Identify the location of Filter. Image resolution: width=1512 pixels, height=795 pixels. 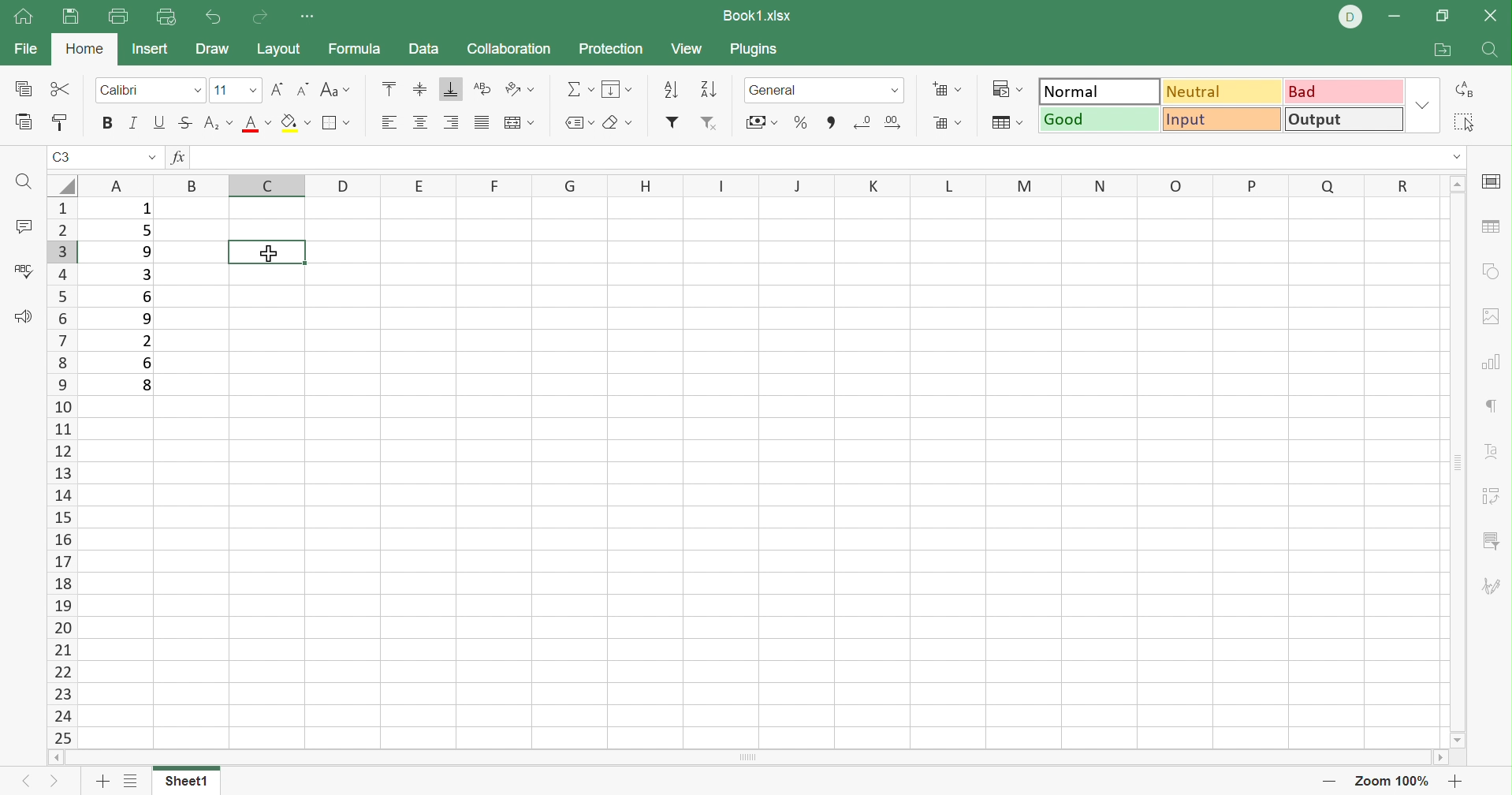
(671, 123).